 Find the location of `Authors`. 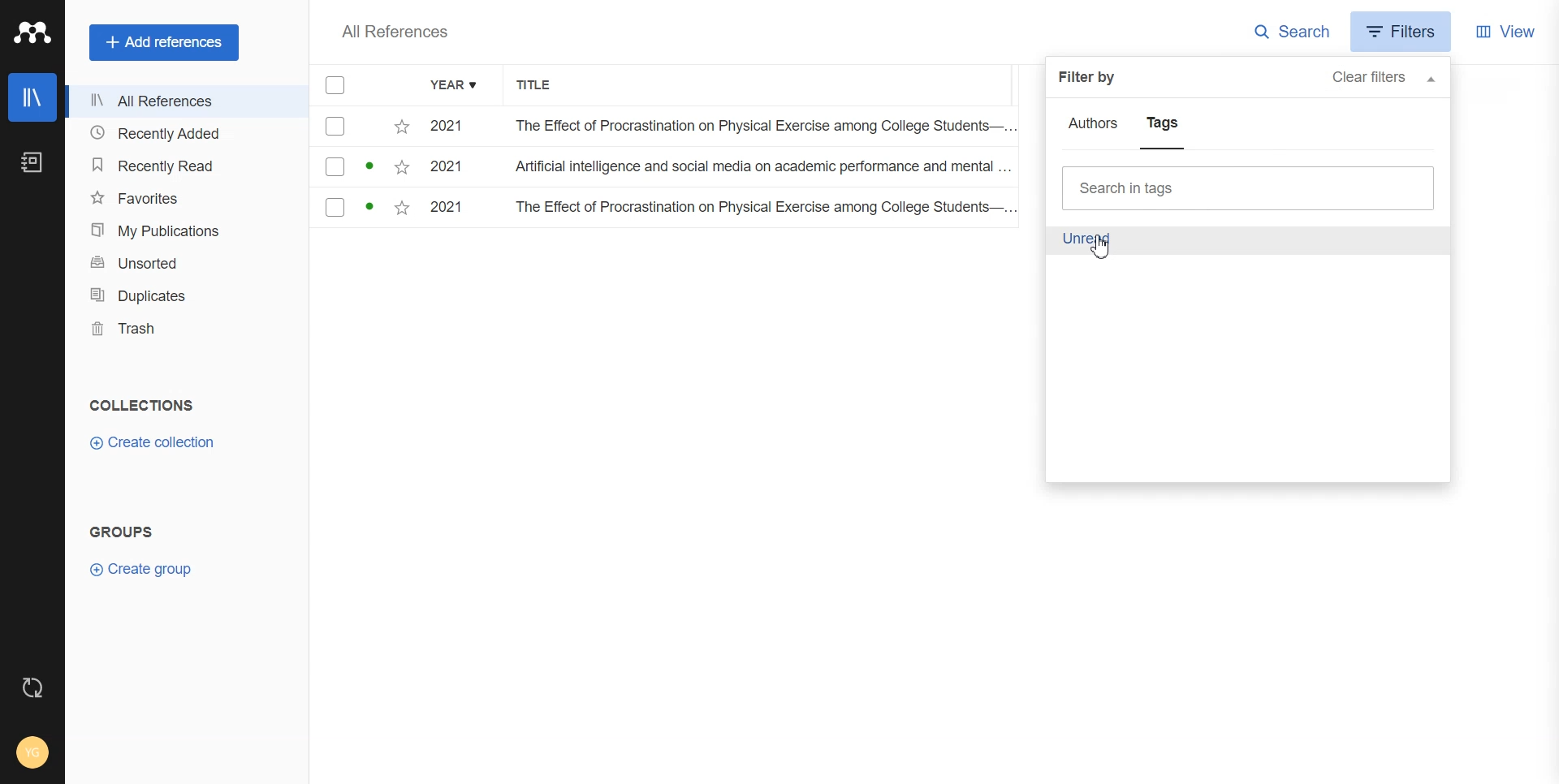

Authors is located at coordinates (1097, 125).